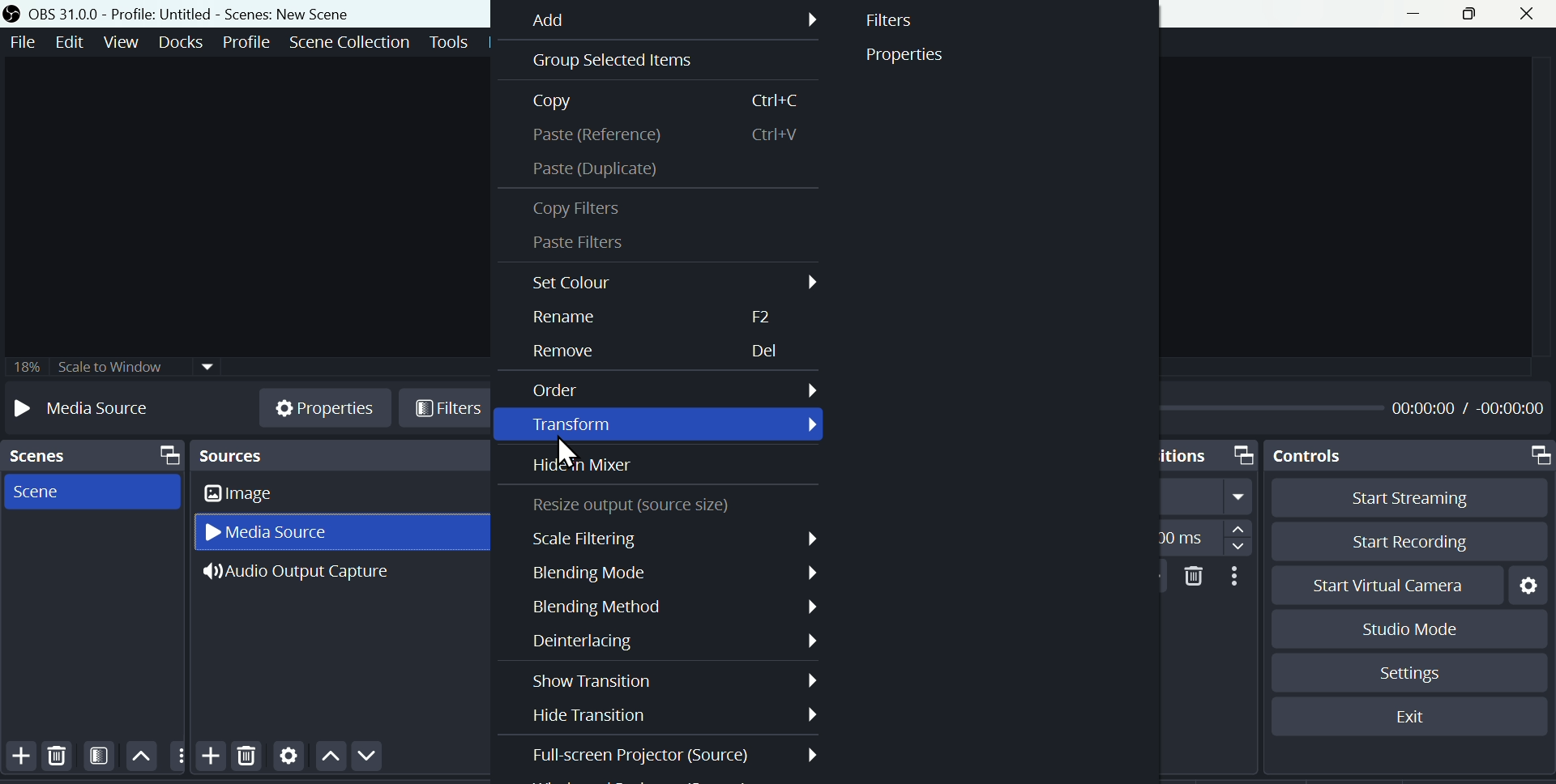 The image size is (1556, 784). Describe the element at coordinates (340, 455) in the screenshot. I see `Source` at that location.